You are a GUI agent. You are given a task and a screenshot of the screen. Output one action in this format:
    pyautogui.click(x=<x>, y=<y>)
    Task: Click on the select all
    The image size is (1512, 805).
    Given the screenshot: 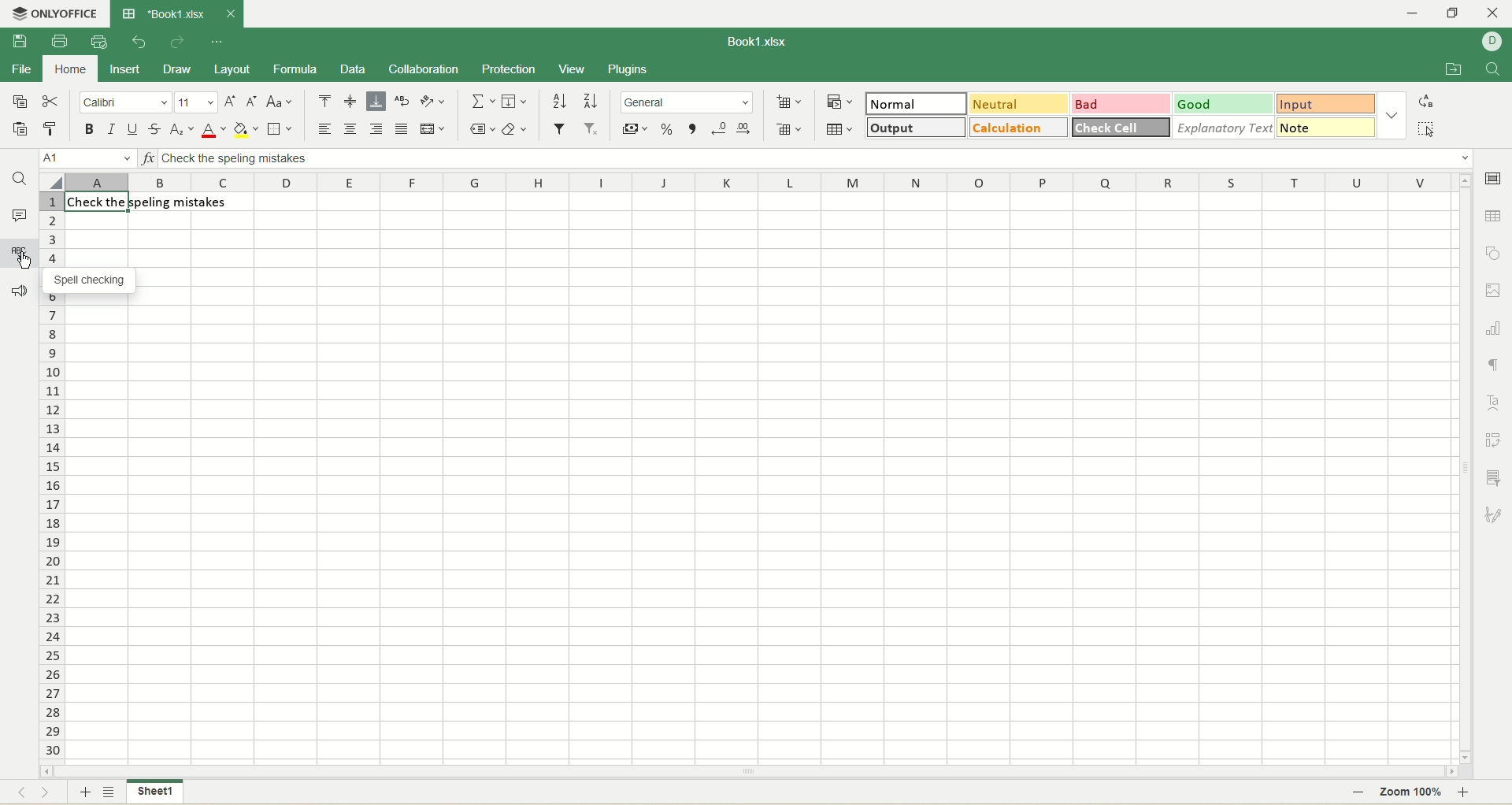 What is the action you would take?
    pyautogui.click(x=50, y=184)
    